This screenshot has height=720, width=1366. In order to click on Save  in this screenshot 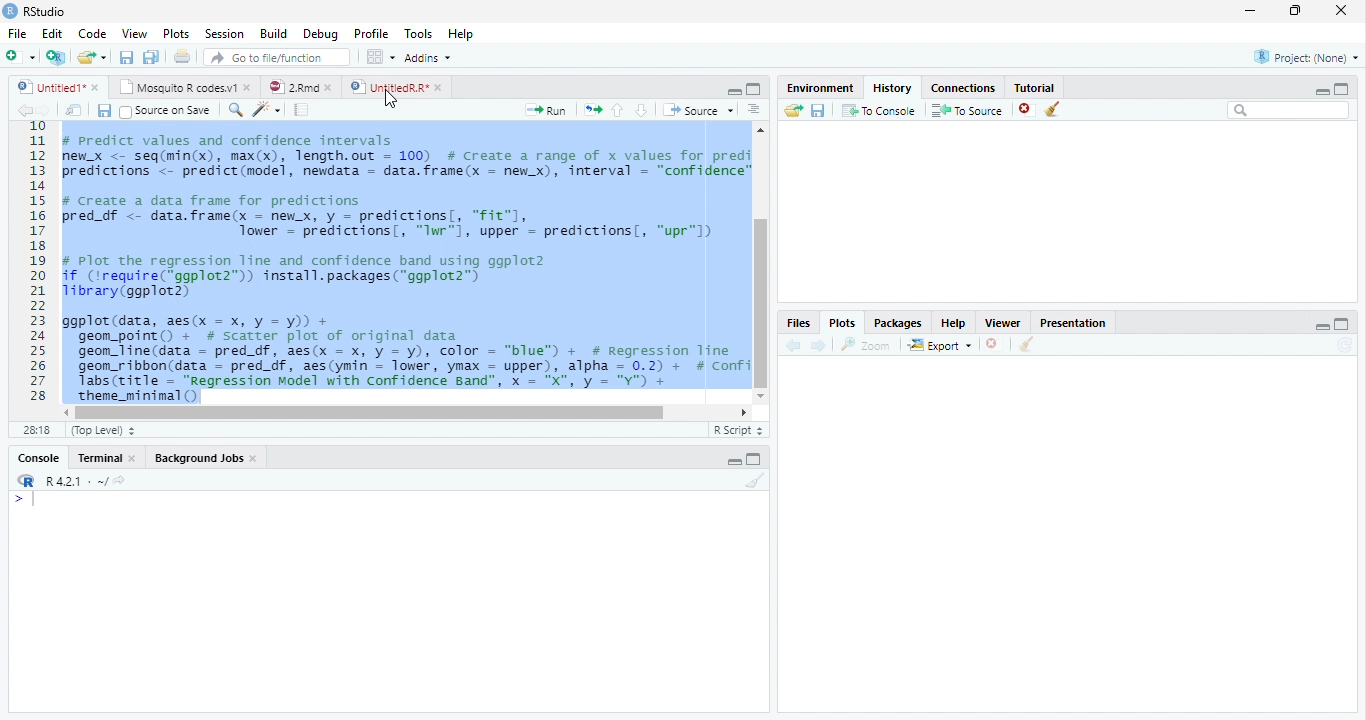, I will do `click(106, 111)`.